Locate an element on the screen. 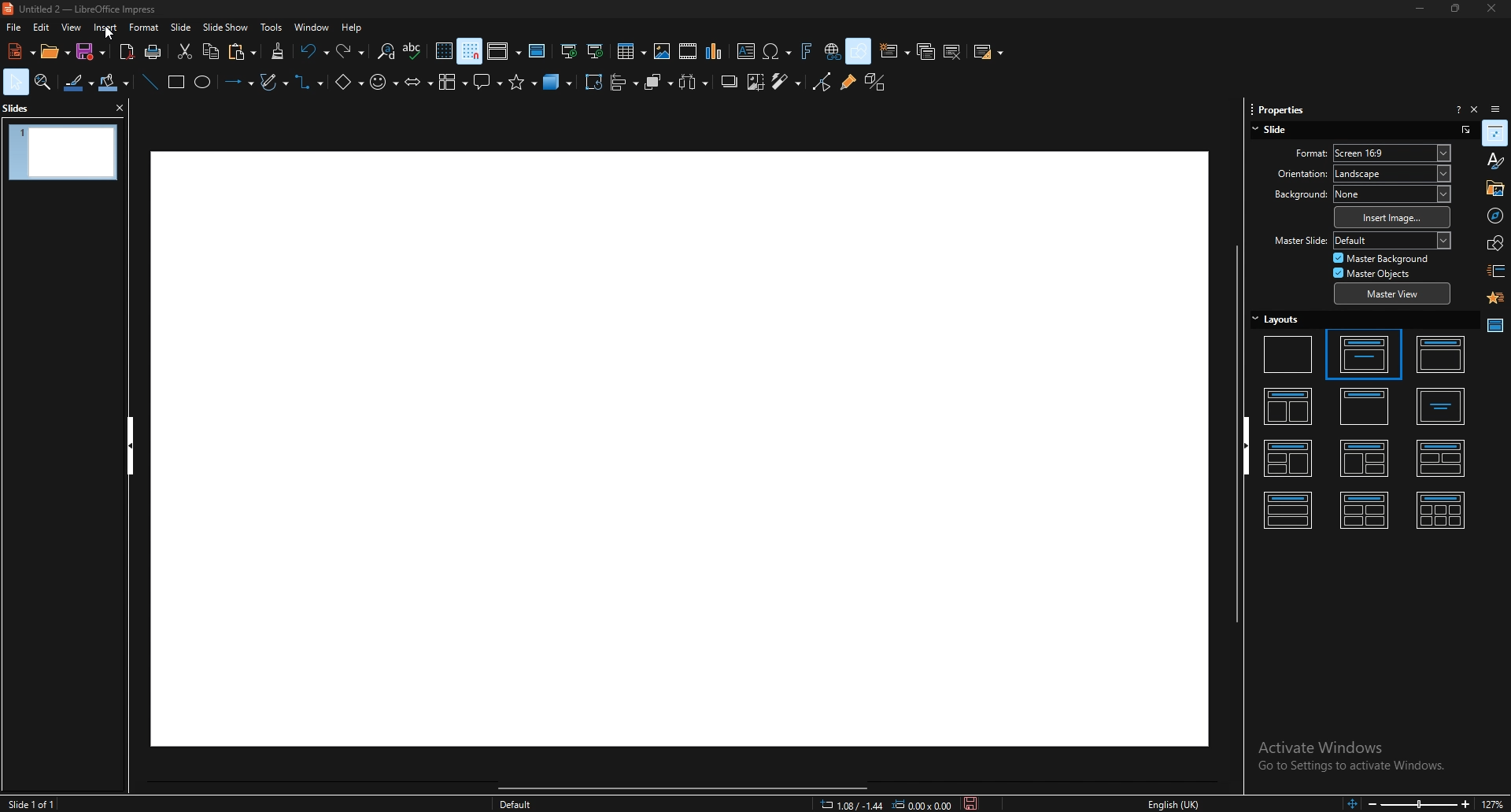 The image size is (1511, 812). display views is located at coordinates (504, 52).